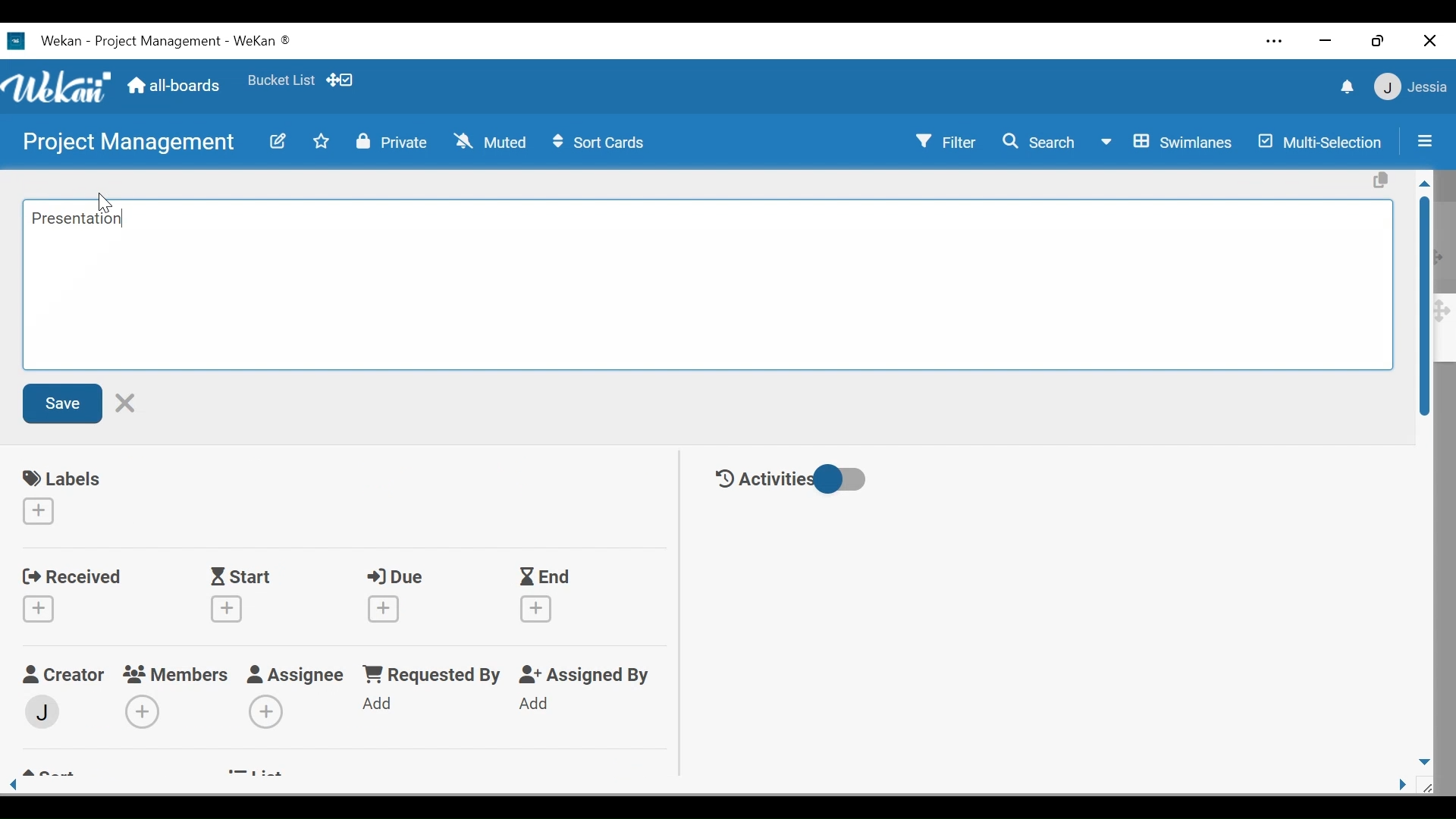 The image size is (1456, 819). I want to click on Filter, so click(945, 143).